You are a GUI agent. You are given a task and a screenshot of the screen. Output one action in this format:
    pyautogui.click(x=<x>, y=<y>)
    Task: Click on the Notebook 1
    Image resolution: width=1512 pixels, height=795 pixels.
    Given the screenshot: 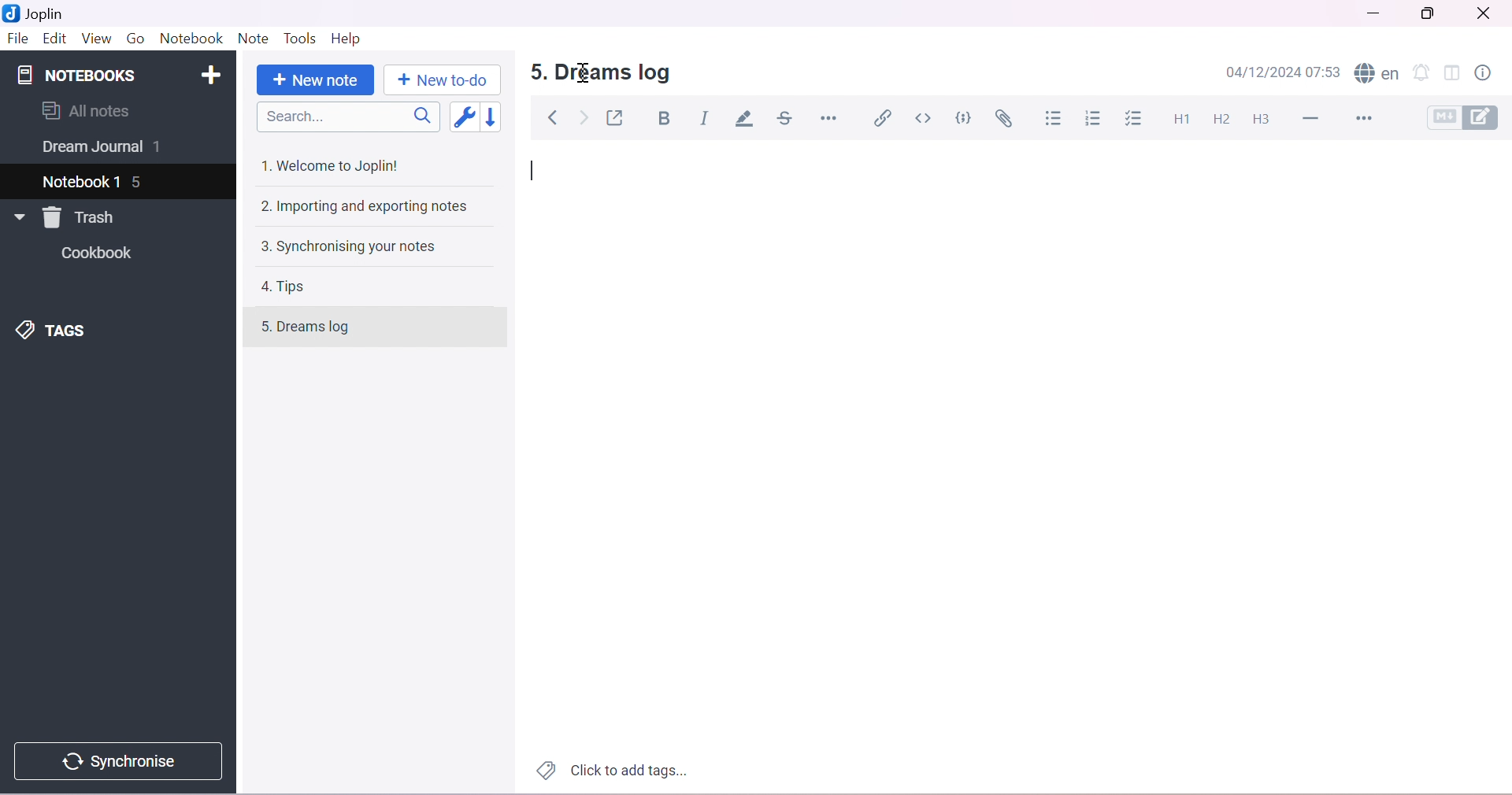 What is the action you would take?
    pyautogui.click(x=83, y=179)
    